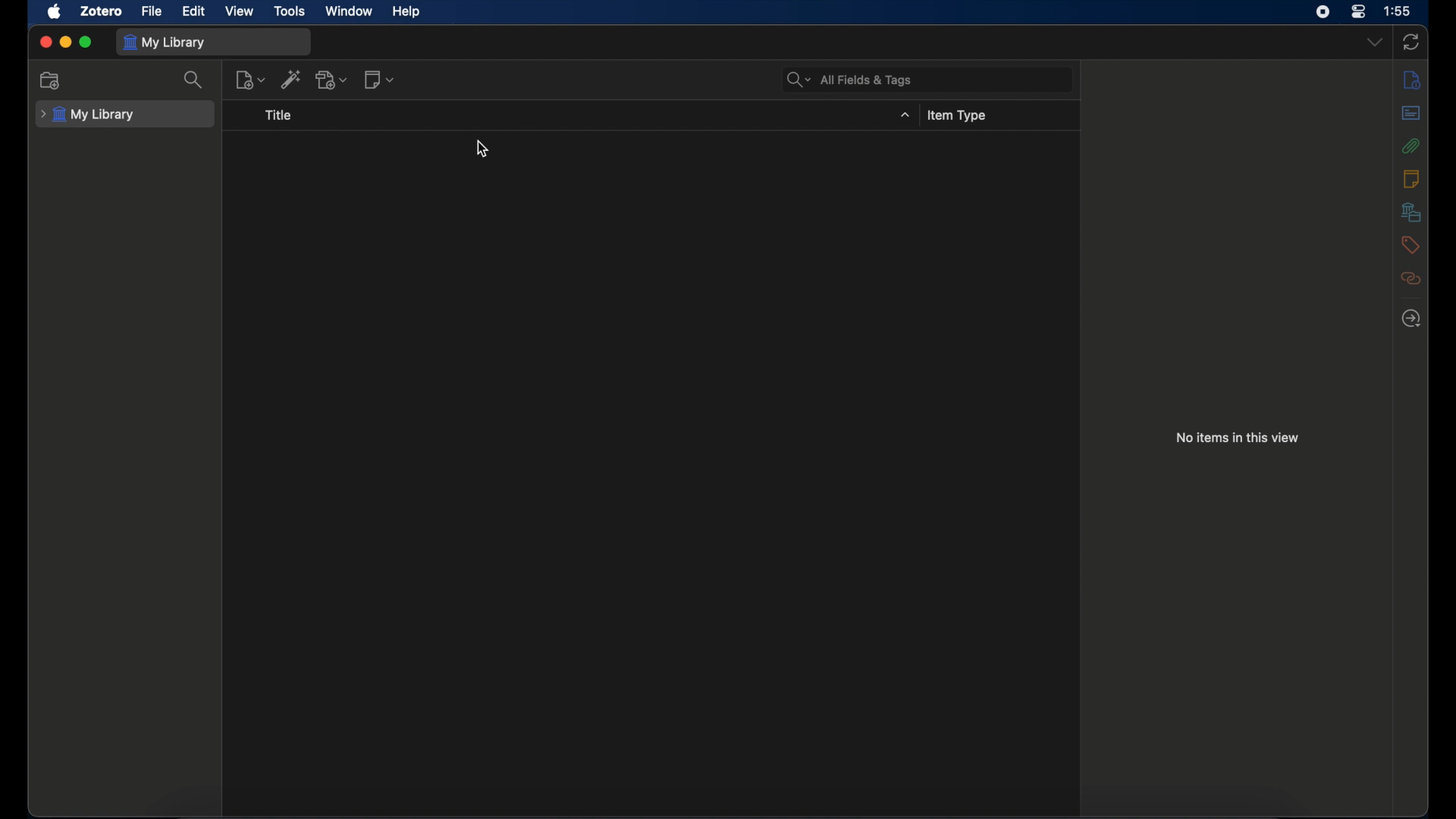  I want to click on tags, so click(1409, 245).